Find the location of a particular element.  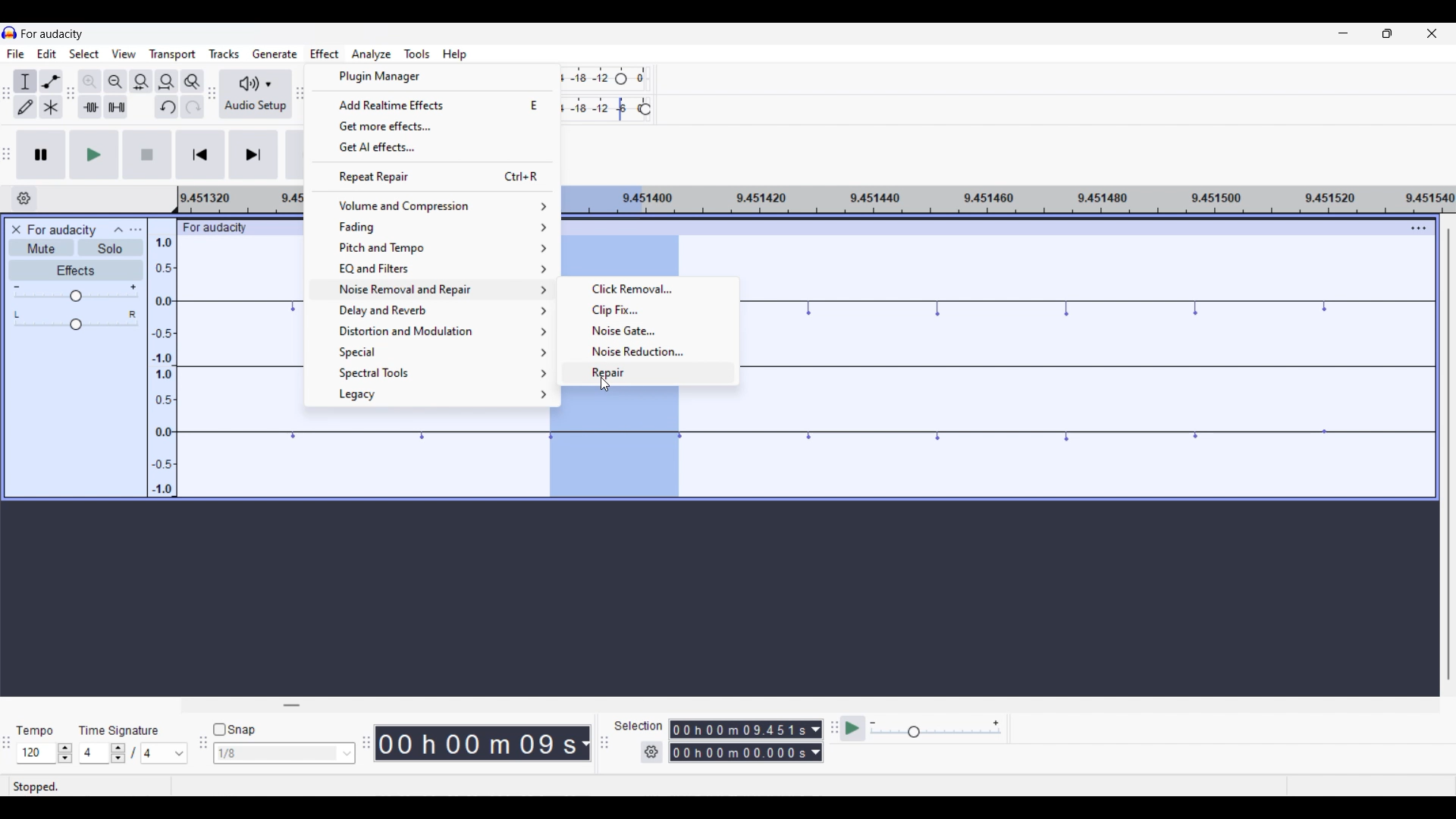

Distortion and modulation options is located at coordinates (431, 331).